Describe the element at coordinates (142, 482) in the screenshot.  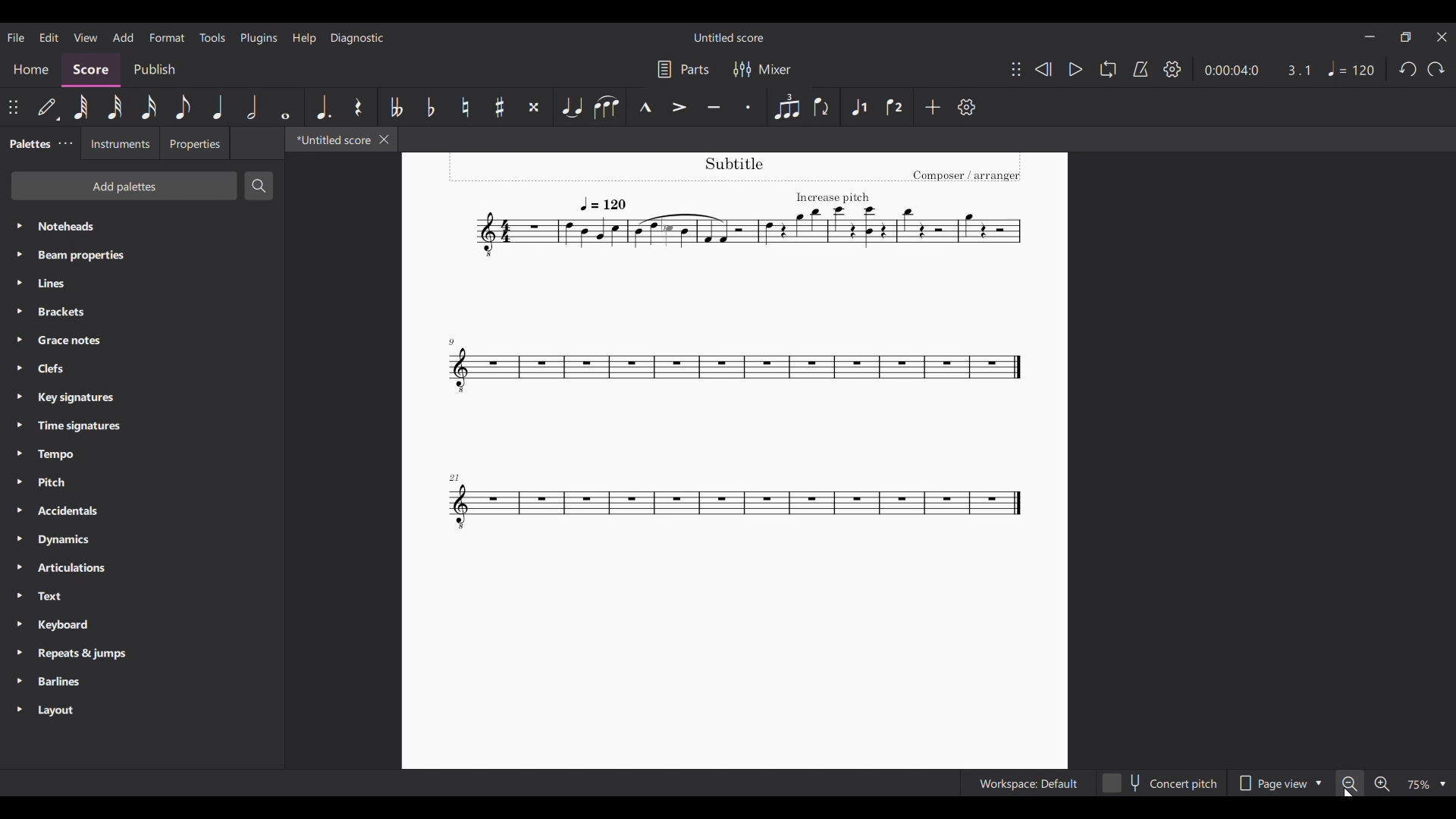
I see `Pitch` at that location.